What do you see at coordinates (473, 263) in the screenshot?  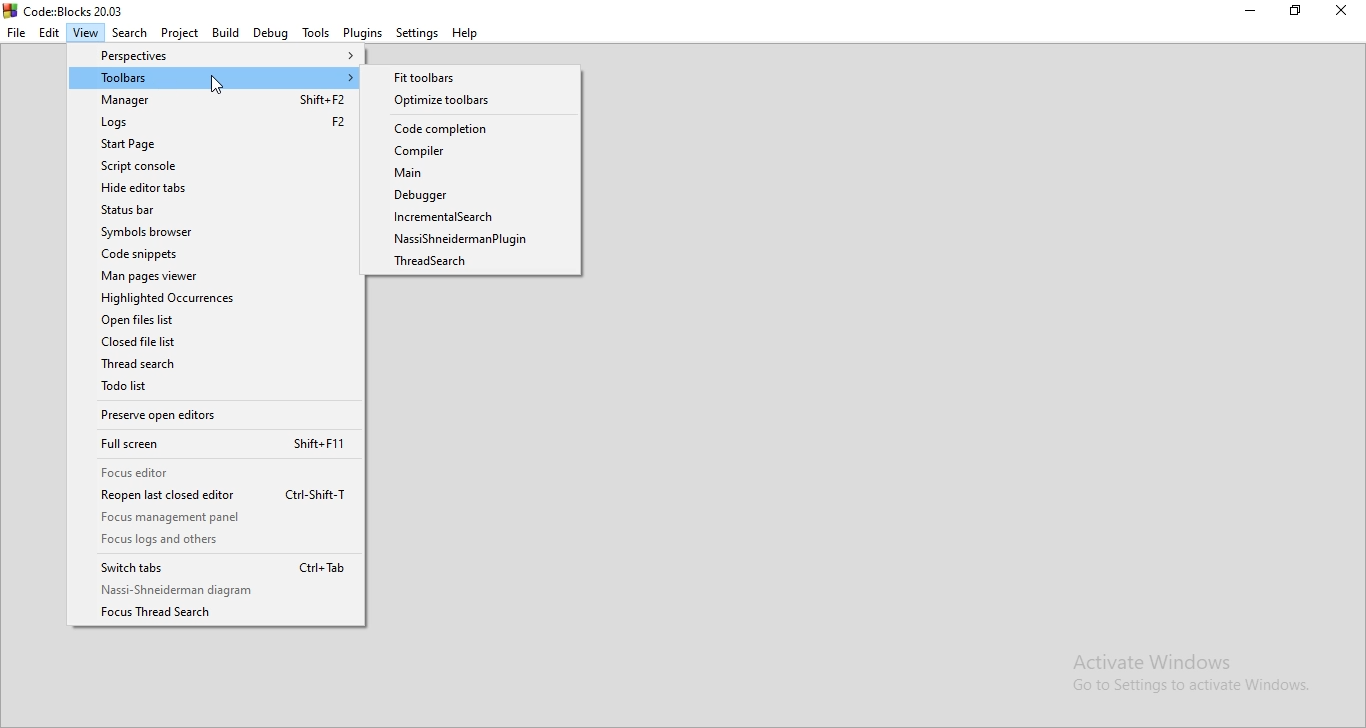 I see `ThreadSearch` at bounding box center [473, 263].